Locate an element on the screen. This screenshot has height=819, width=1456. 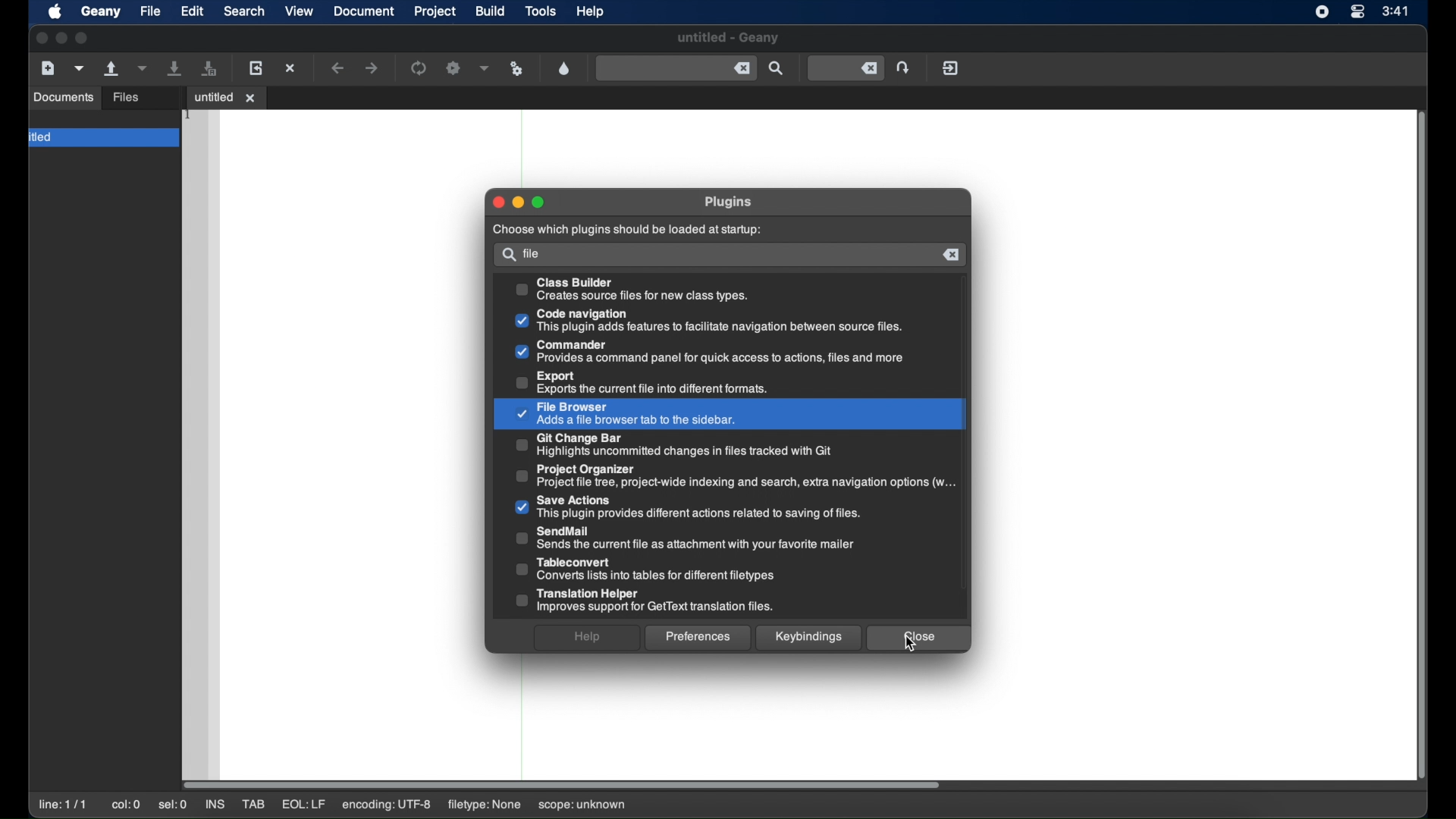
document is located at coordinates (364, 11).